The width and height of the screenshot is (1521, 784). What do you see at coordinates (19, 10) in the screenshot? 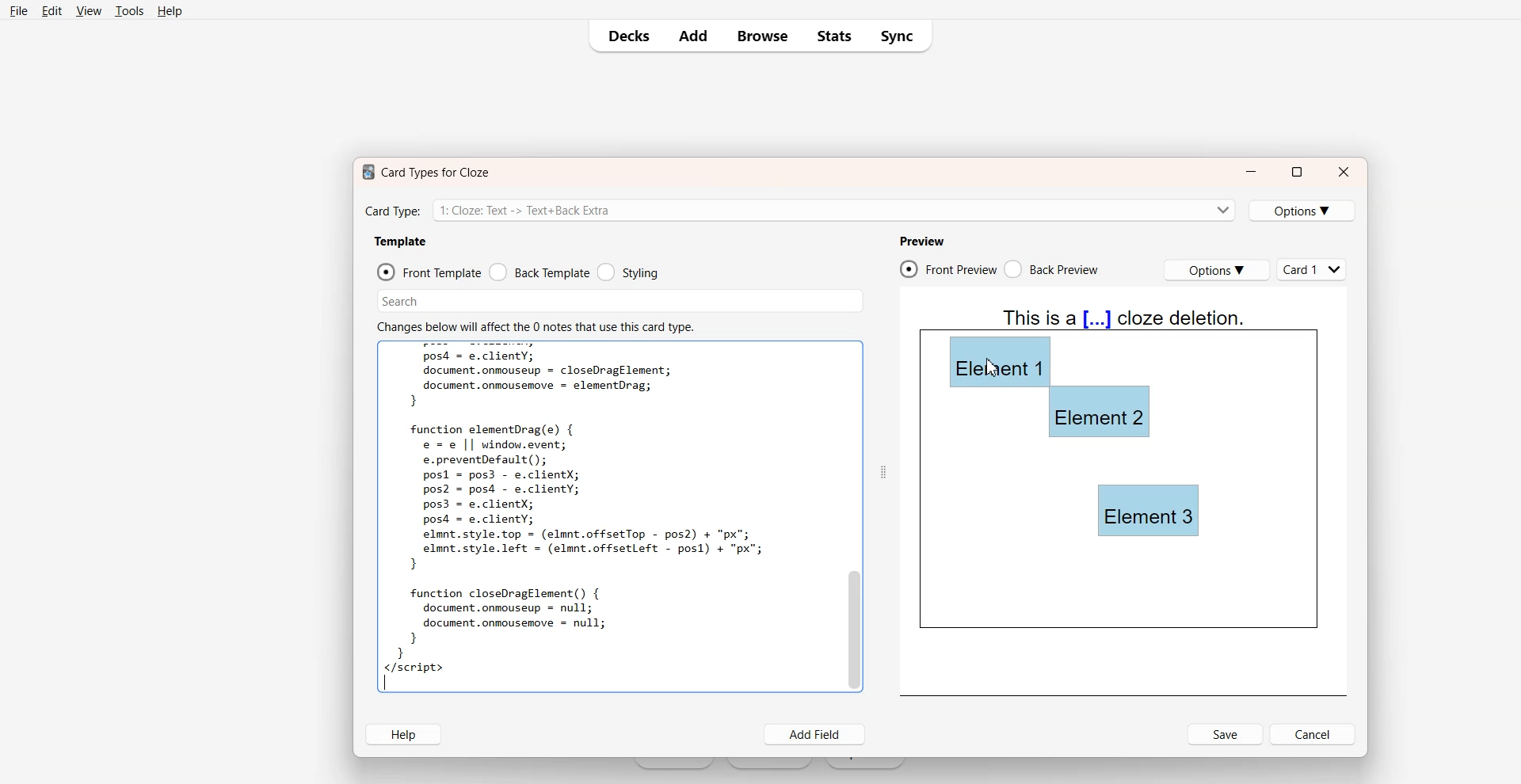
I see `File` at bounding box center [19, 10].